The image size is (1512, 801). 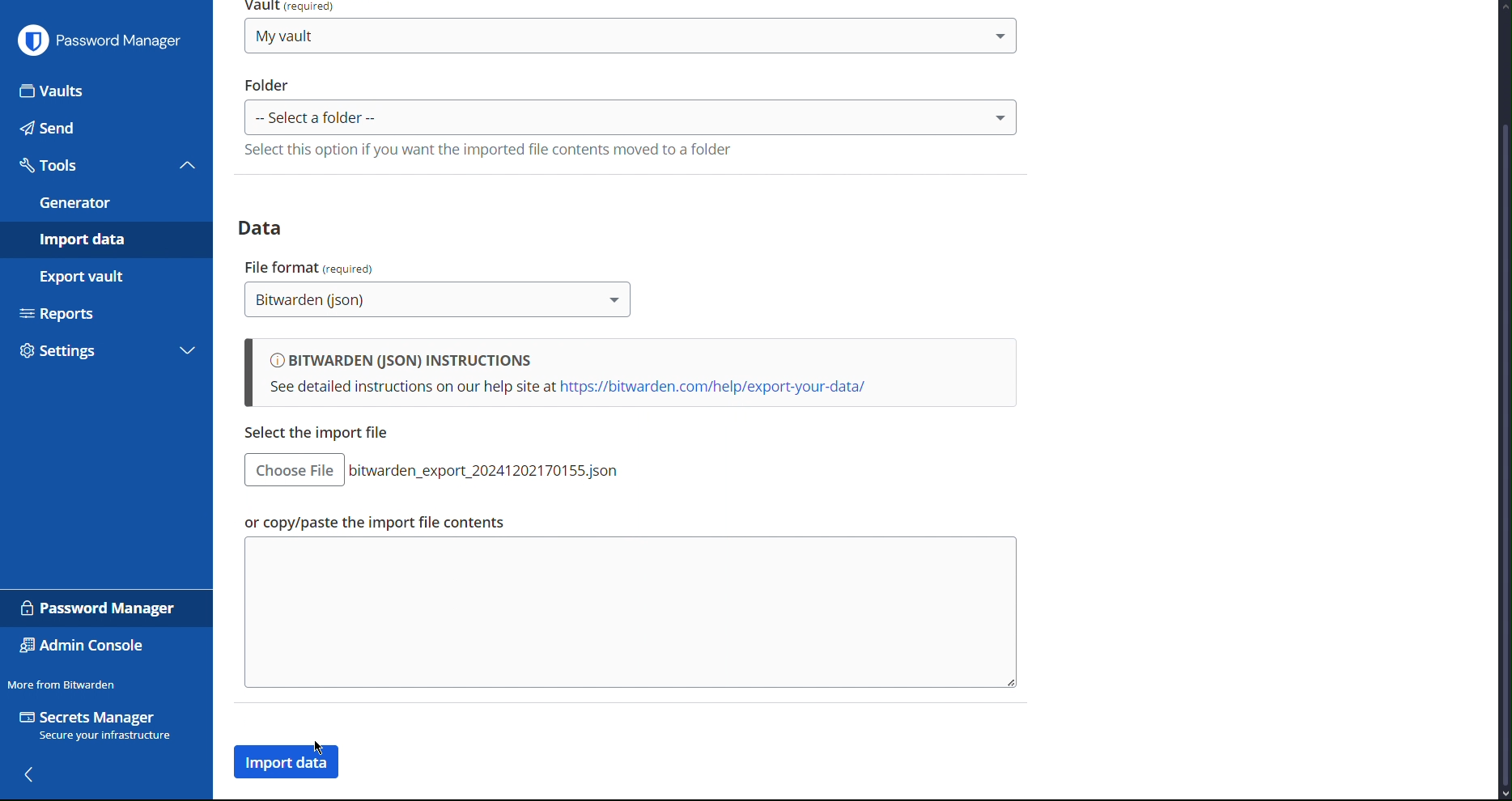 What do you see at coordinates (268, 84) in the screenshot?
I see `folder` at bounding box center [268, 84].